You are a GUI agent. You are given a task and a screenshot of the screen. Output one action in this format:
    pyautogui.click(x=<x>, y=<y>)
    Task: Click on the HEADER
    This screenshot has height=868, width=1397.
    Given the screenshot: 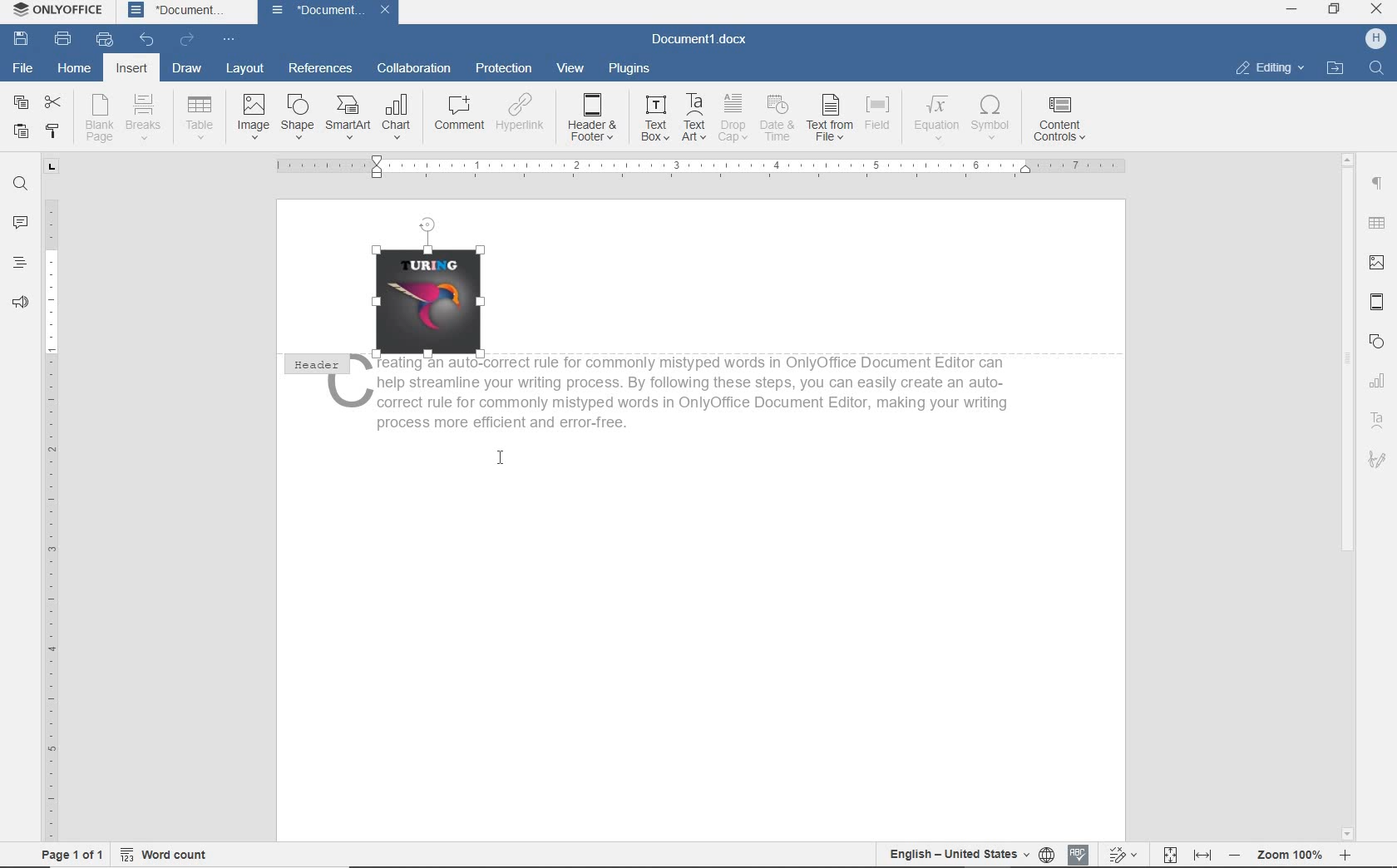 What is the action you would take?
    pyautogui.click(x=313, y=367)
    